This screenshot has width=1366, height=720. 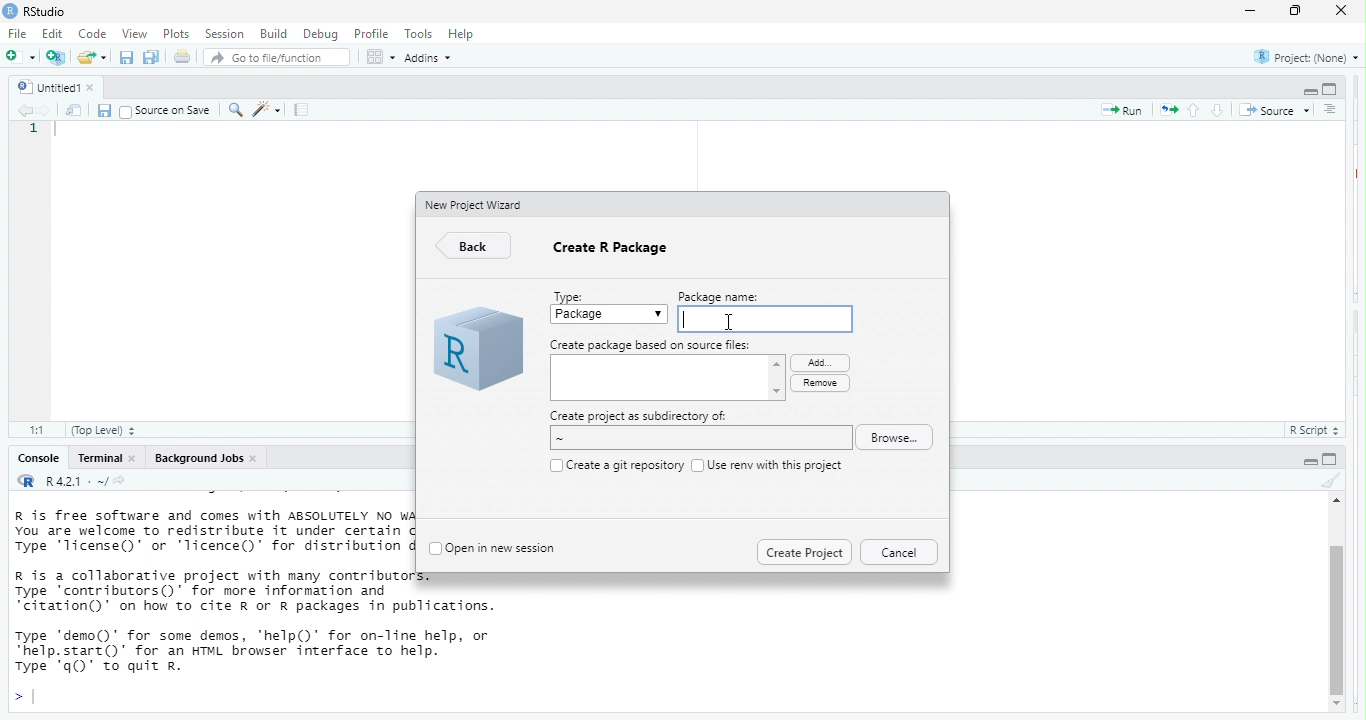 What do you see at coordinates (304, 111) in the screenshot?
I see `compile report` at bounding box center [304, 111].